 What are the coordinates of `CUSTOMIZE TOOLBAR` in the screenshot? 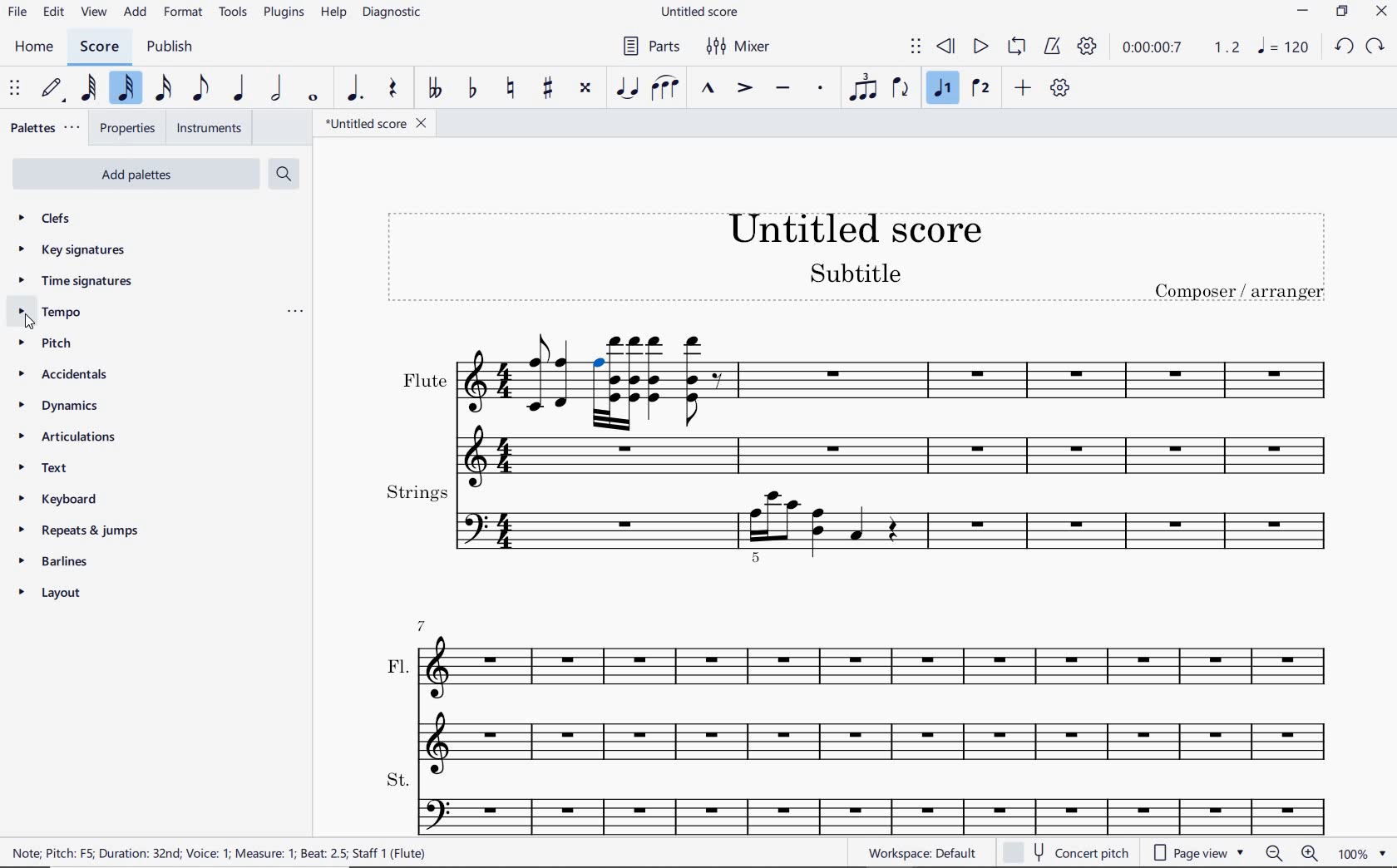 It's located at (1062, 91).